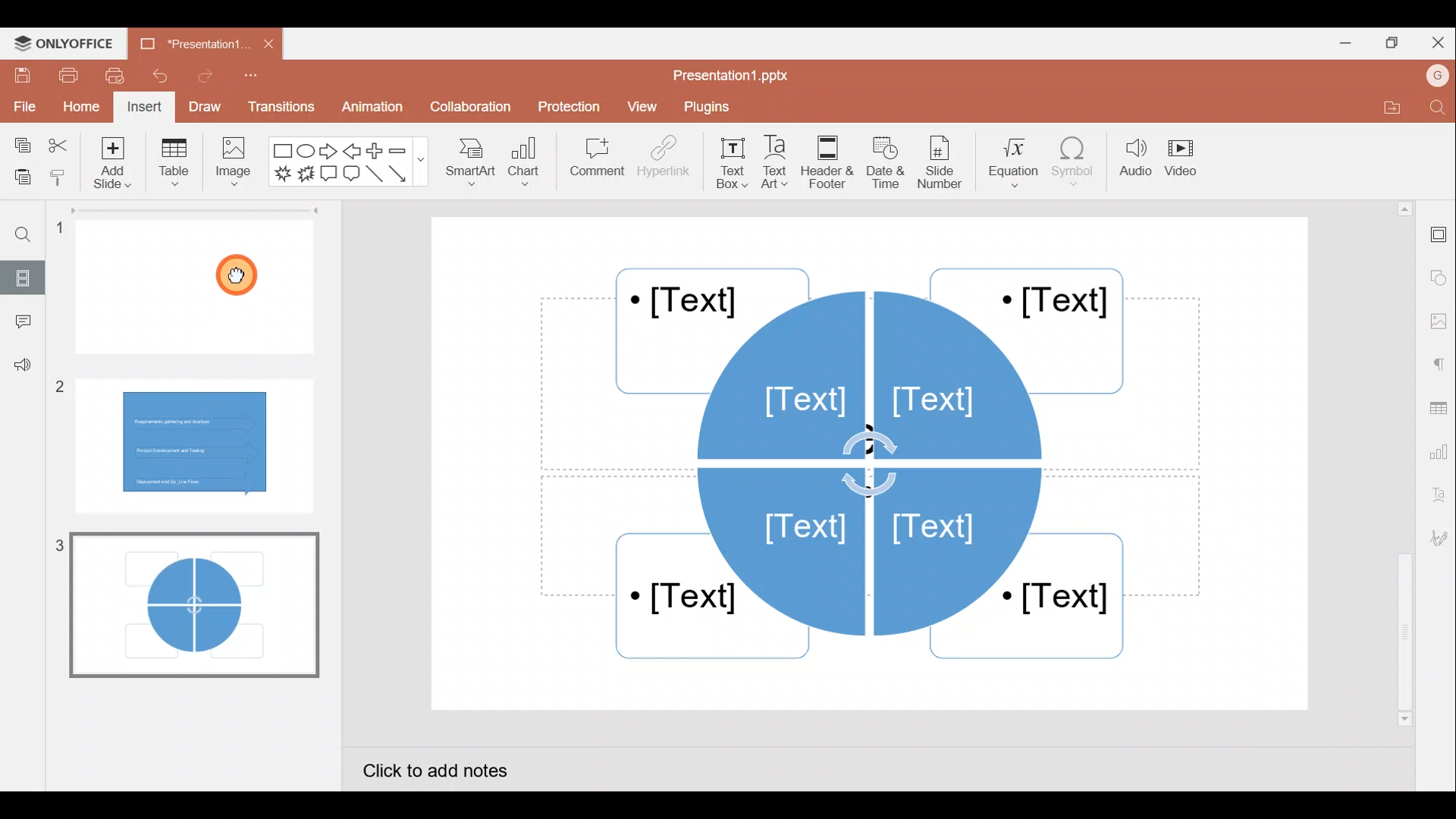 Image resolution: width=1456 pixels, height=819 pixels. I want to click on Explosion 1, so click(281, 172).